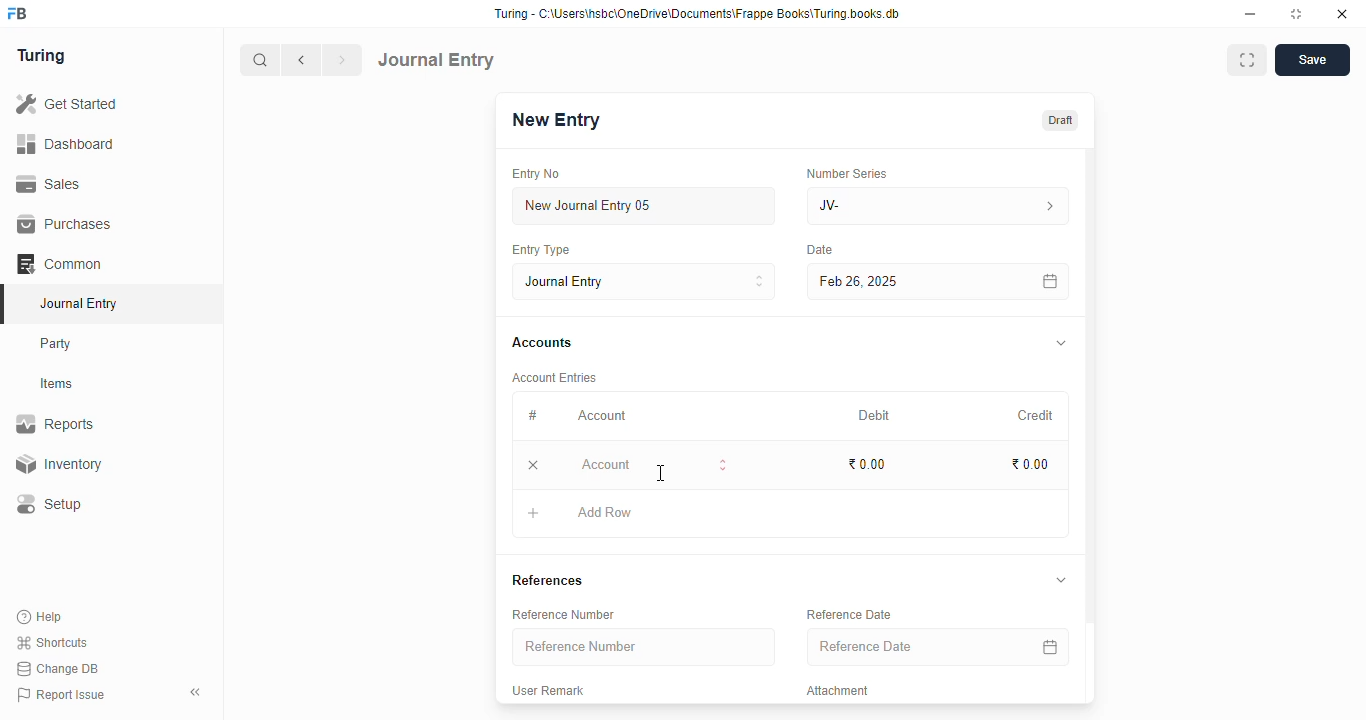 Image resolution: width=1366 pixels, height=720 pixels. Describe the element at coordinates (56, 424) in the screenshot. I see `reports` at that location.